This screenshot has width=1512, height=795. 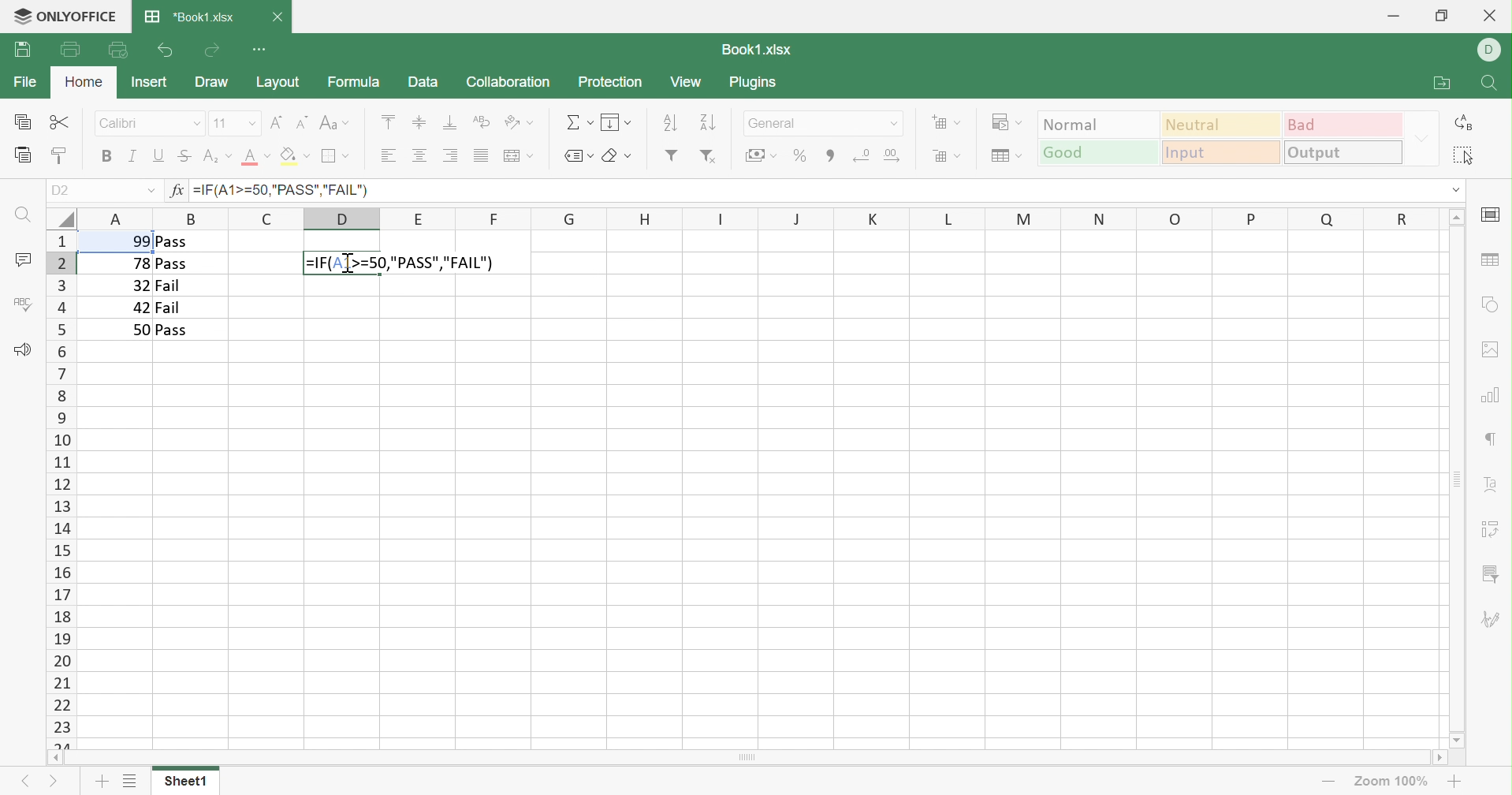 What do you see at coordinates (84, 83) in the screenshot?
I see `Home` at bounding box center [84, 83].